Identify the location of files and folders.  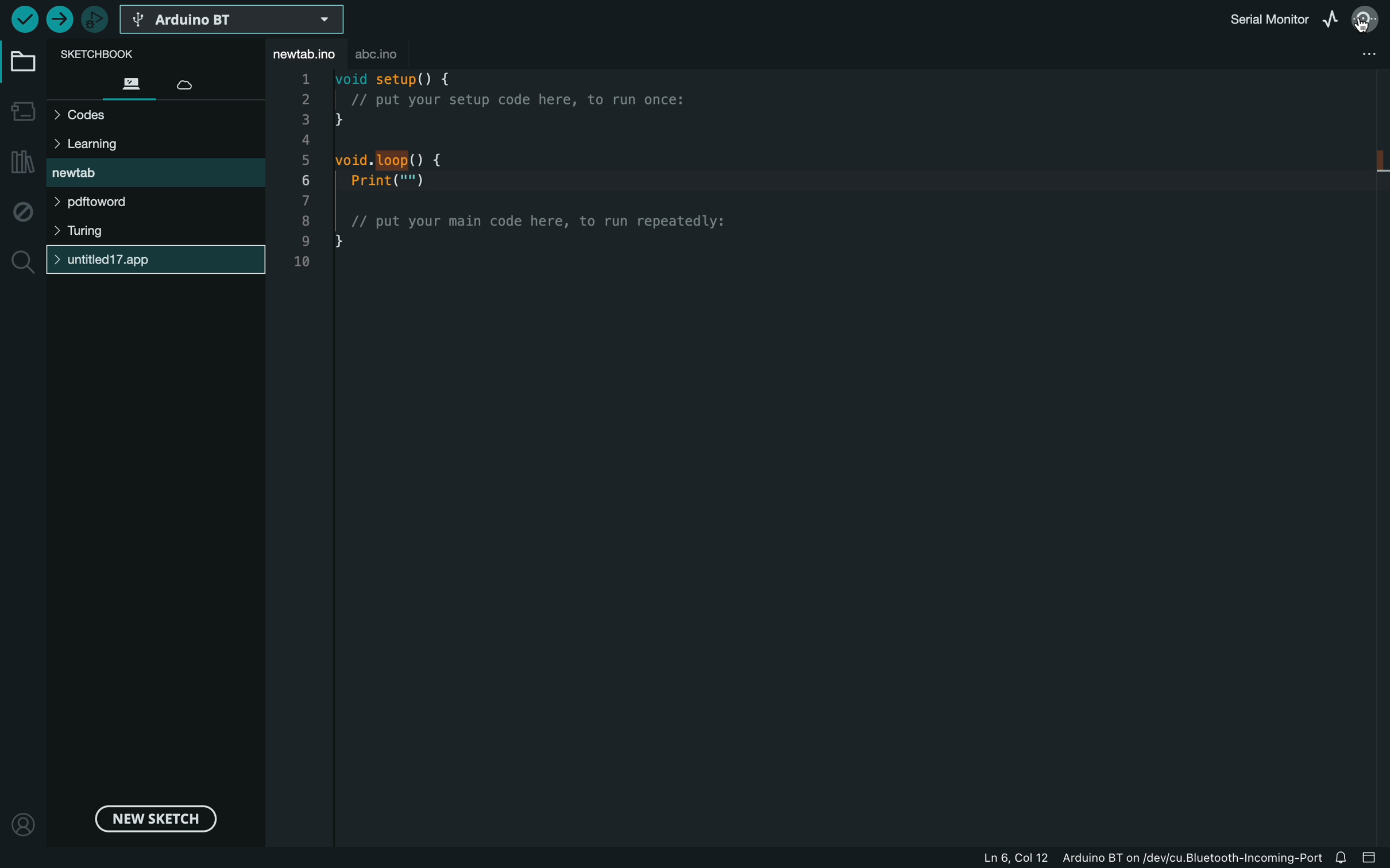
(156, 195).